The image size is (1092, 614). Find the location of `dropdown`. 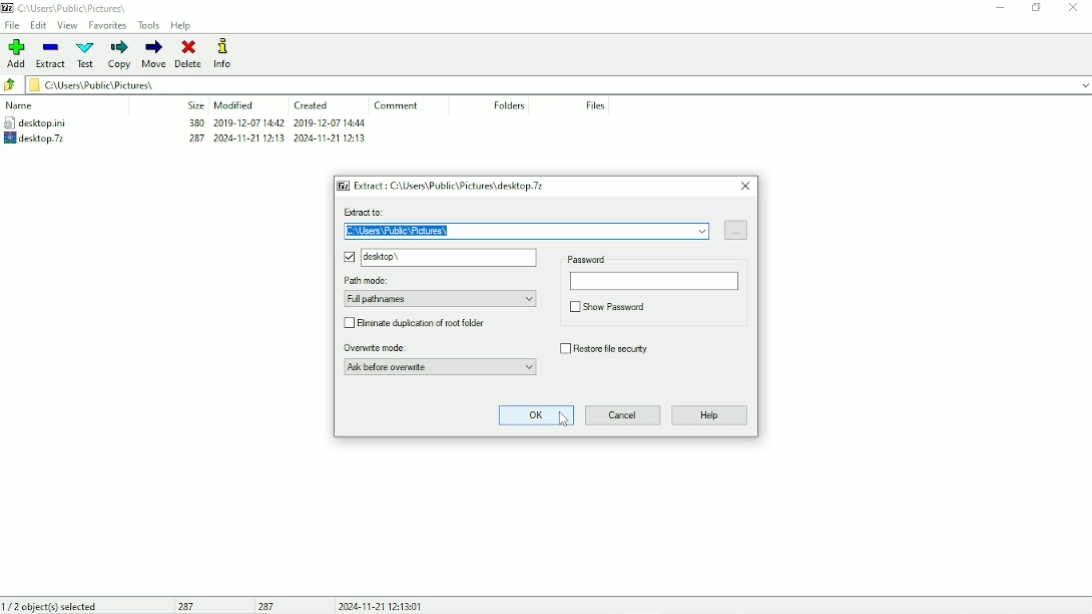

dropdown is located at coordinates (1082, 84).